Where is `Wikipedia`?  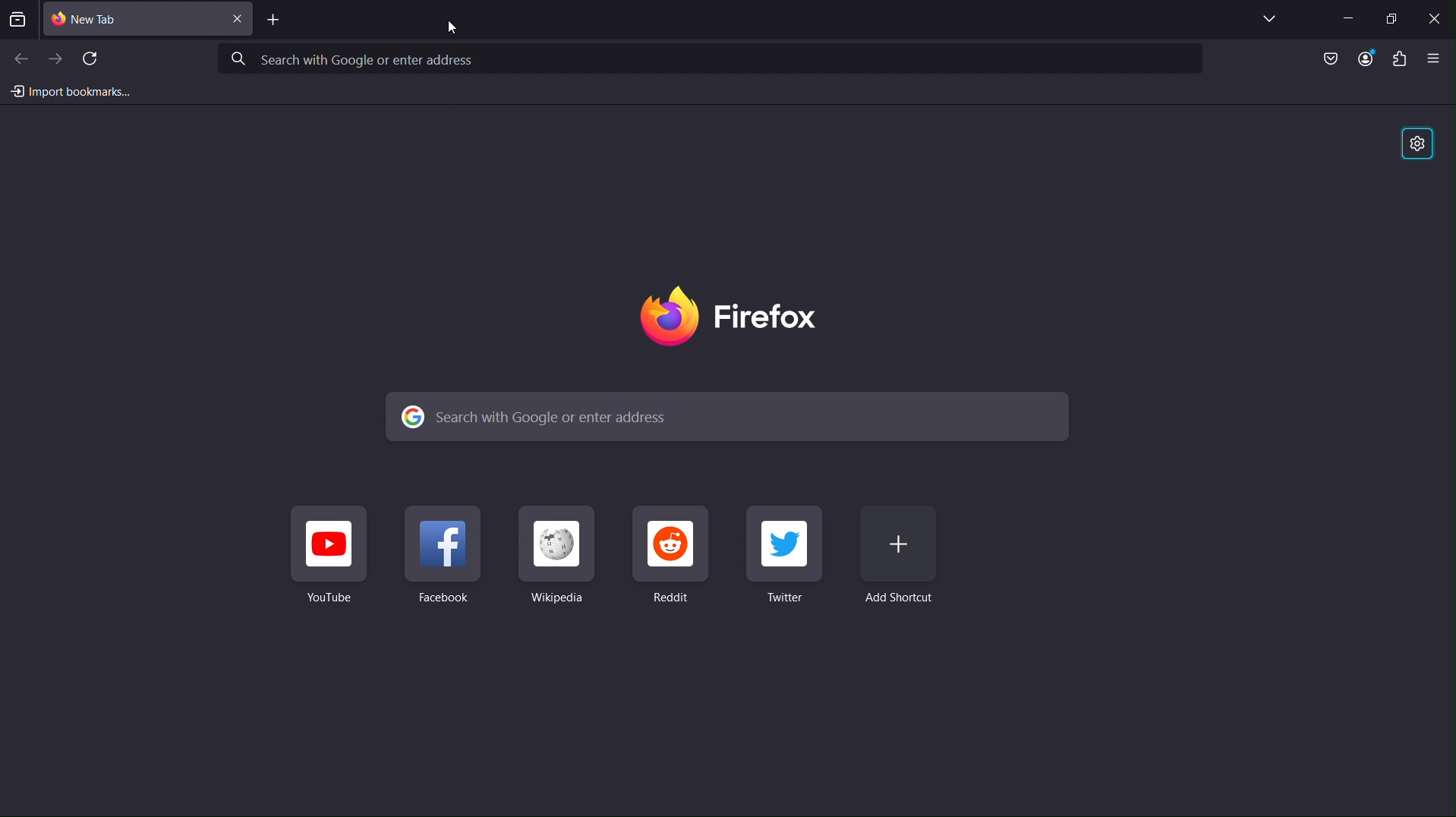
Wikipedia is located at coordinates (561, 563).